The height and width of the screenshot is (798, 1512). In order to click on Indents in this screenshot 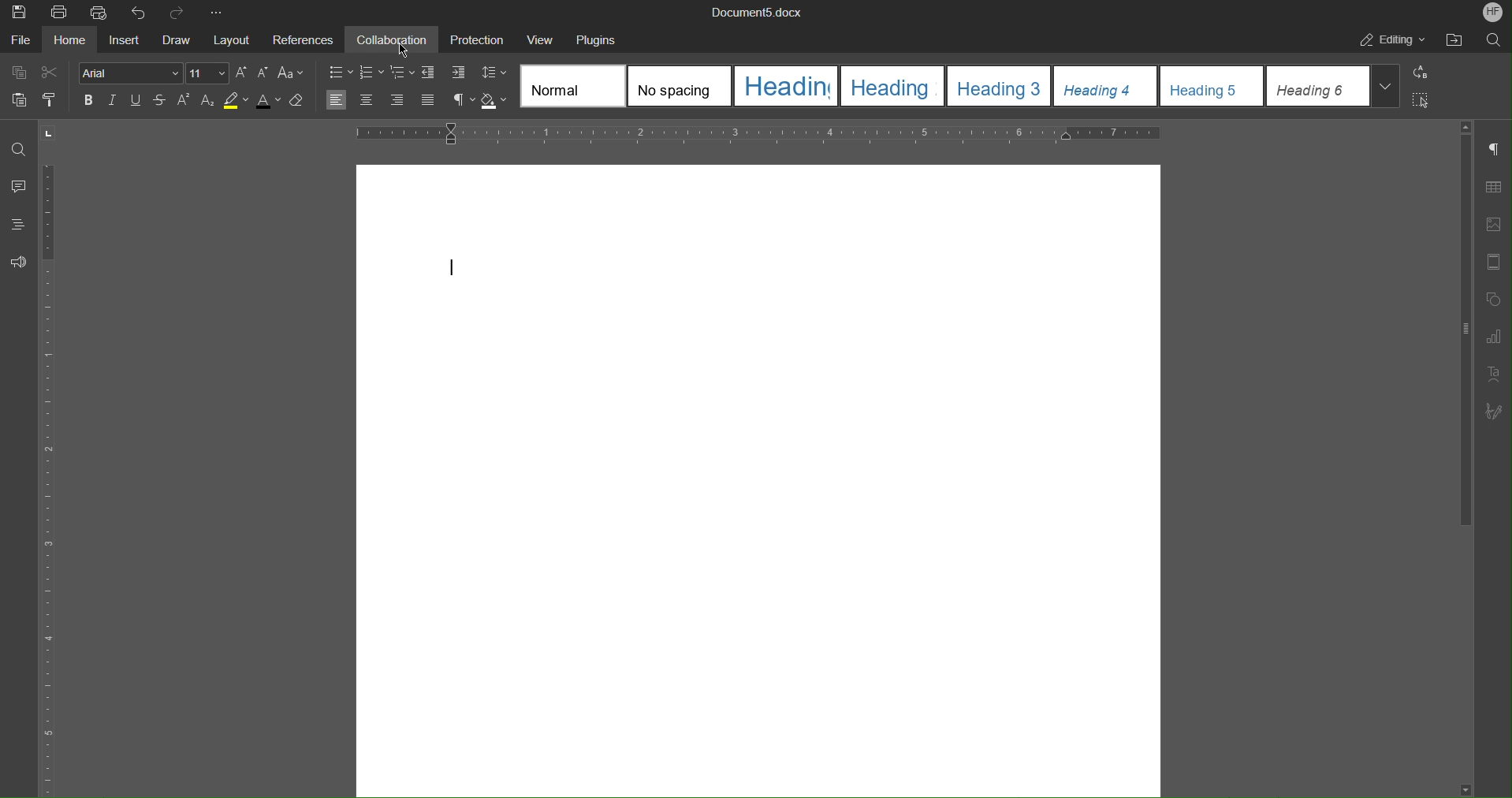, I will do `click(444, 72)`.